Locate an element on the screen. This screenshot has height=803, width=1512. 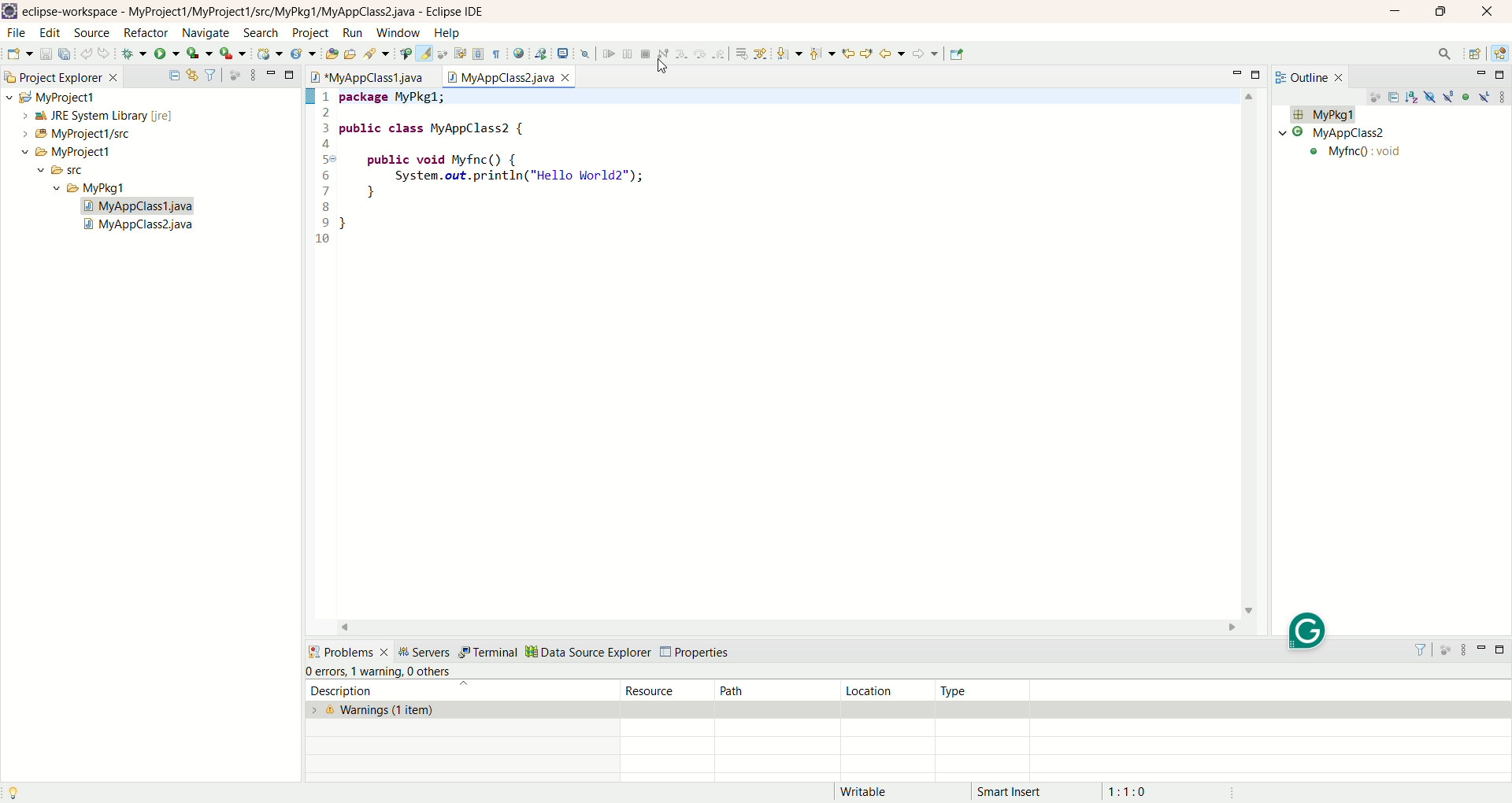
drop to frame is located at coordinates (740, 54).